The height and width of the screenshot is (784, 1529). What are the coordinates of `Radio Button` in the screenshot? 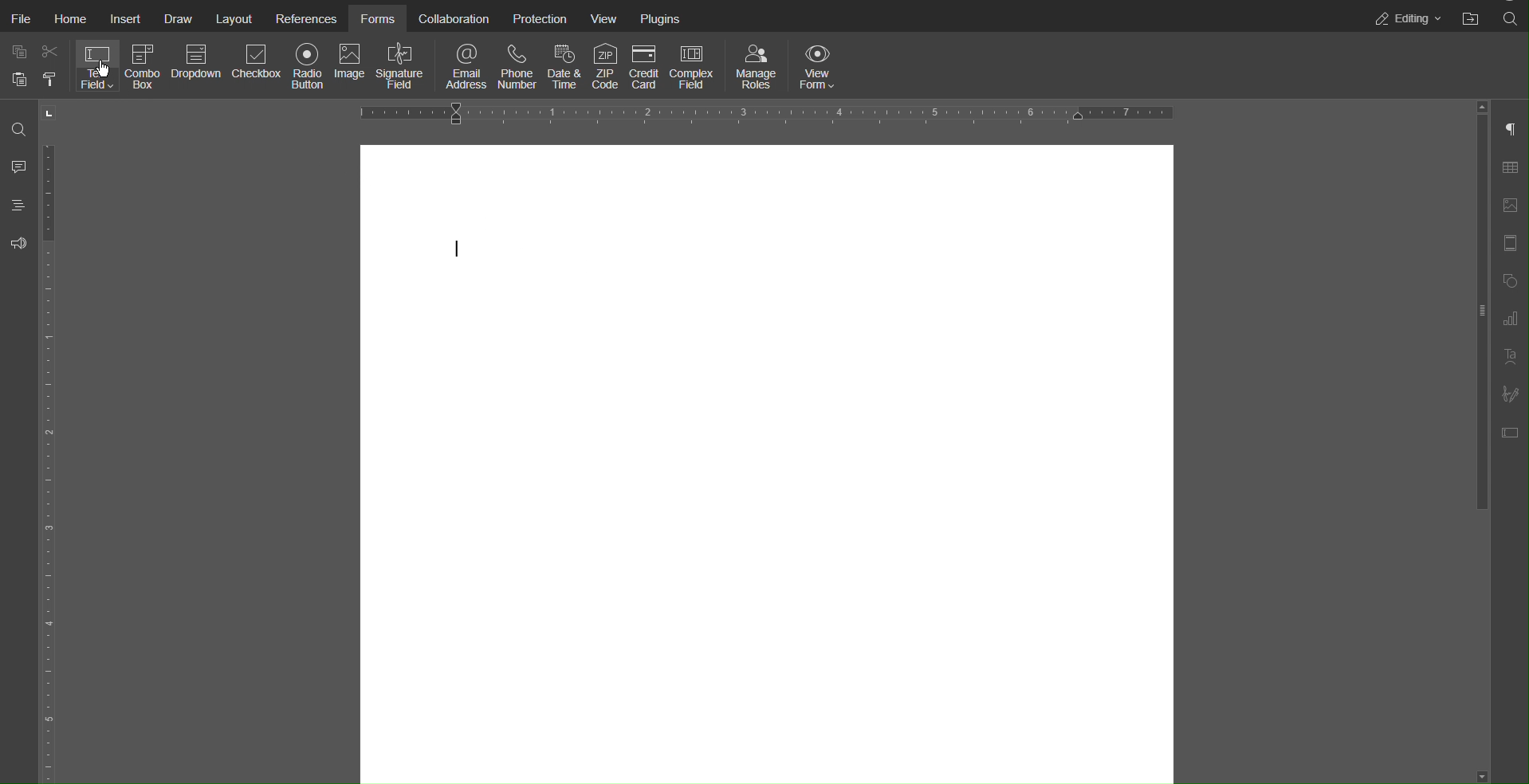 It's located at (307, 67).